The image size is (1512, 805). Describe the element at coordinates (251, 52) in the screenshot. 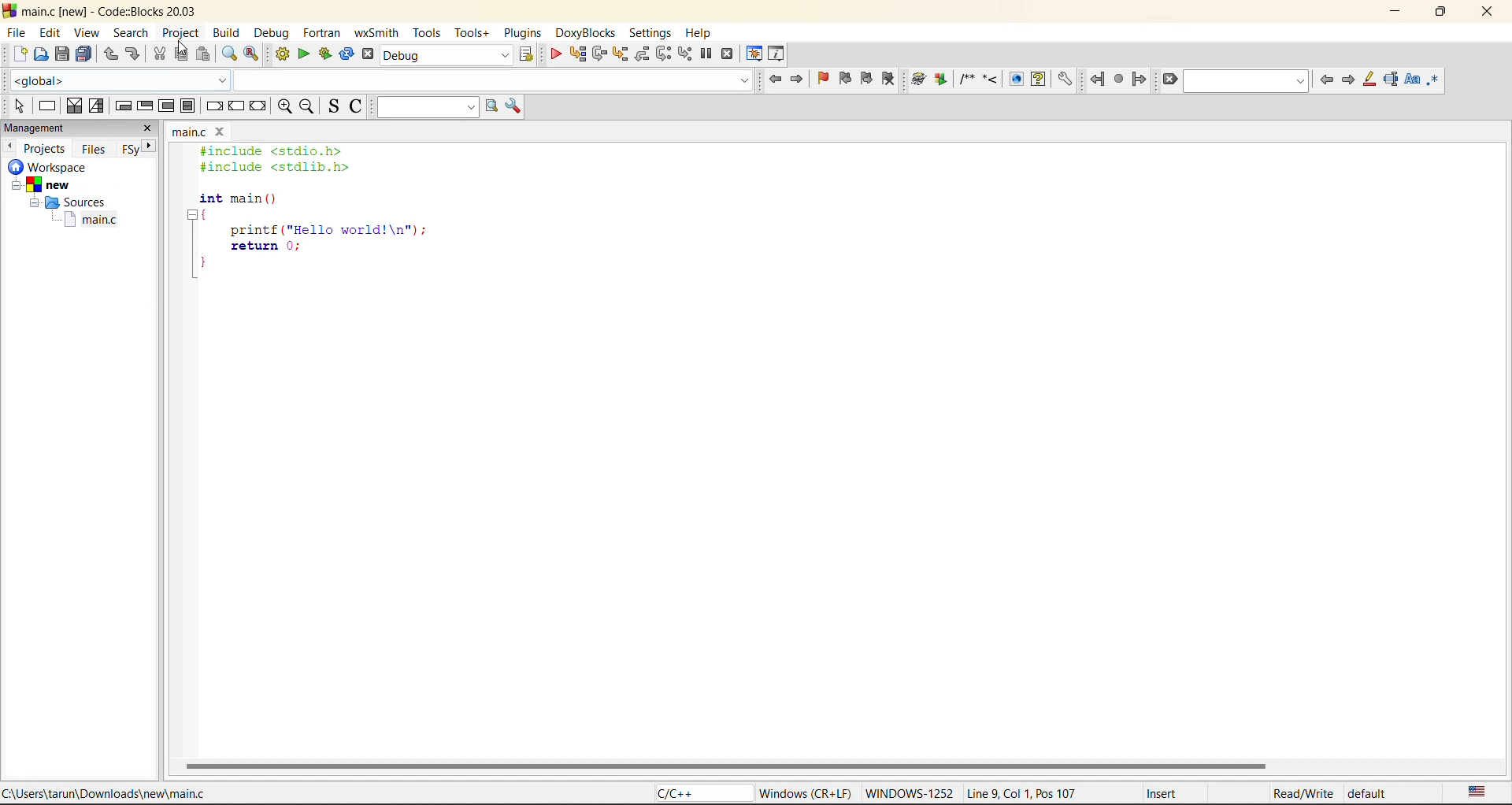

I see `replace` at that location.